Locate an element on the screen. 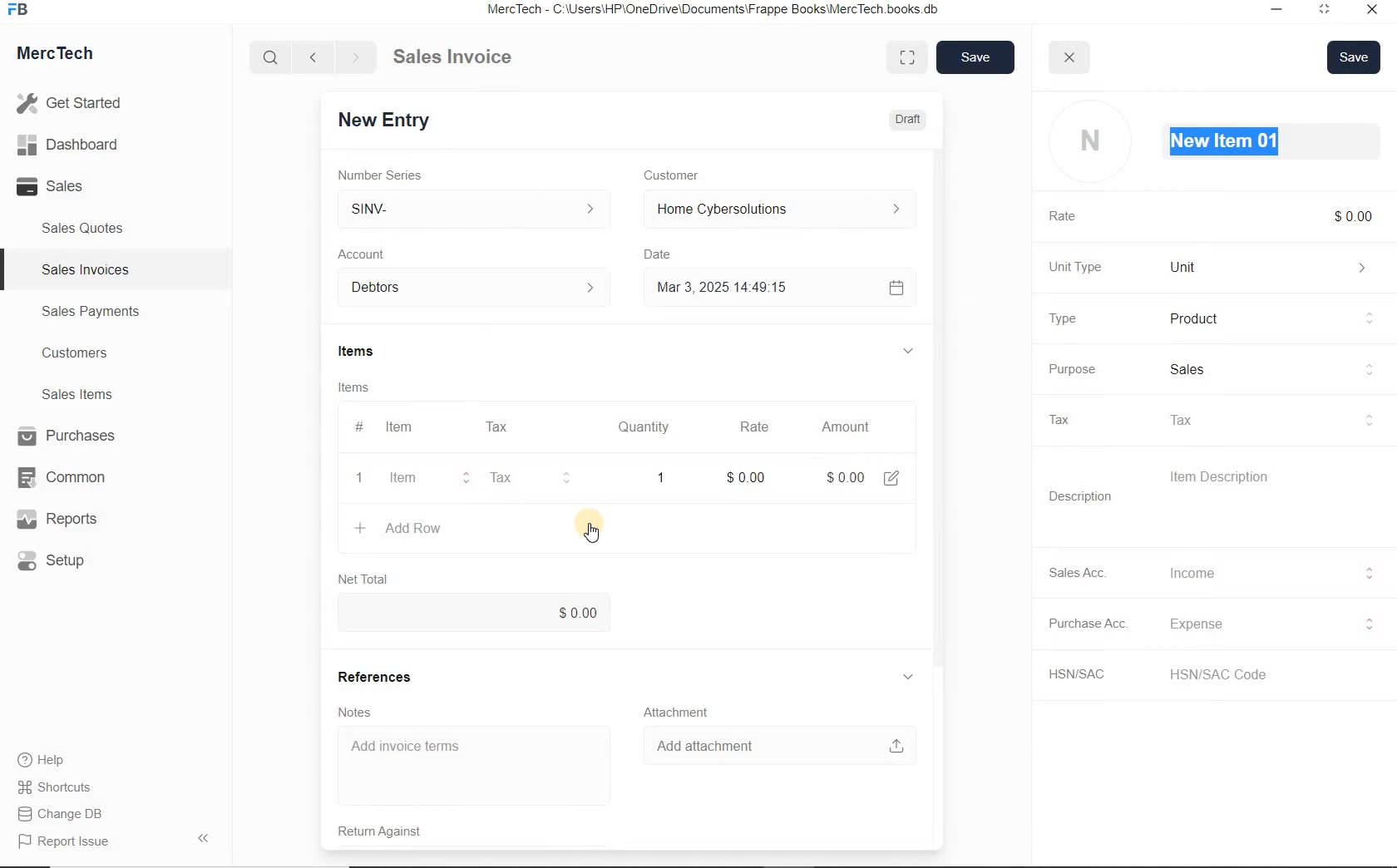 The height and width of the screenshot is (868, 1397). Items is located at coordinates (370, 353).